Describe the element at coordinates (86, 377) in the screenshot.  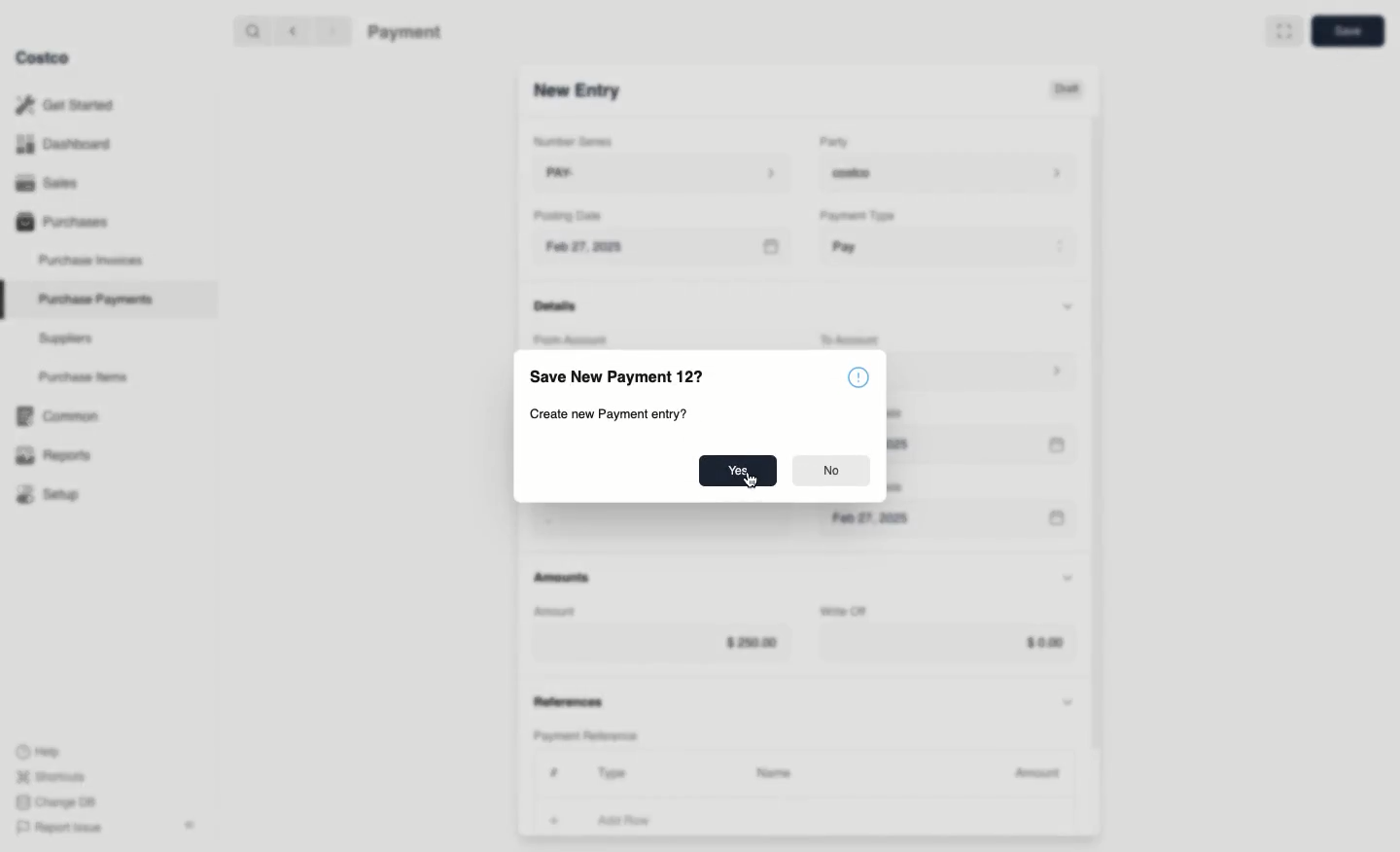
I see `Purchase Items` at that location.